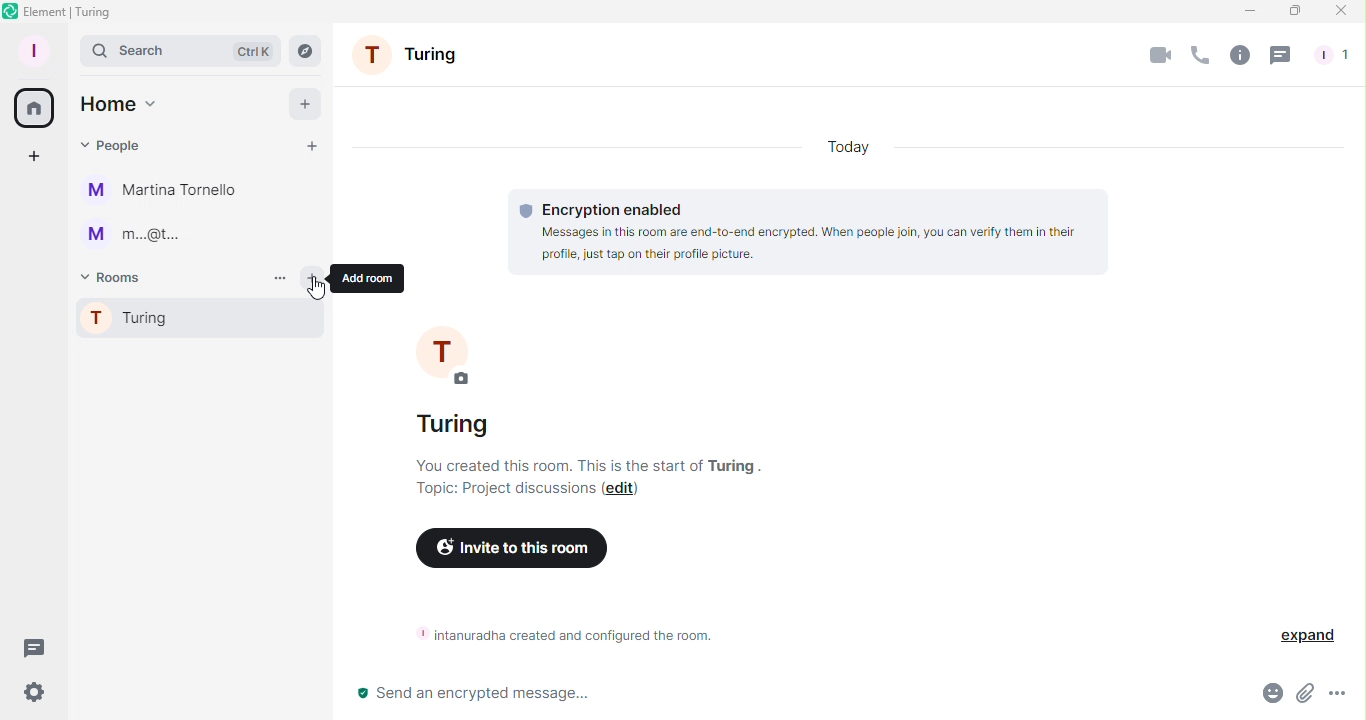 The height and width of the screenshot is (720, 1366). I want to click on Expand, so click(1302, 634).